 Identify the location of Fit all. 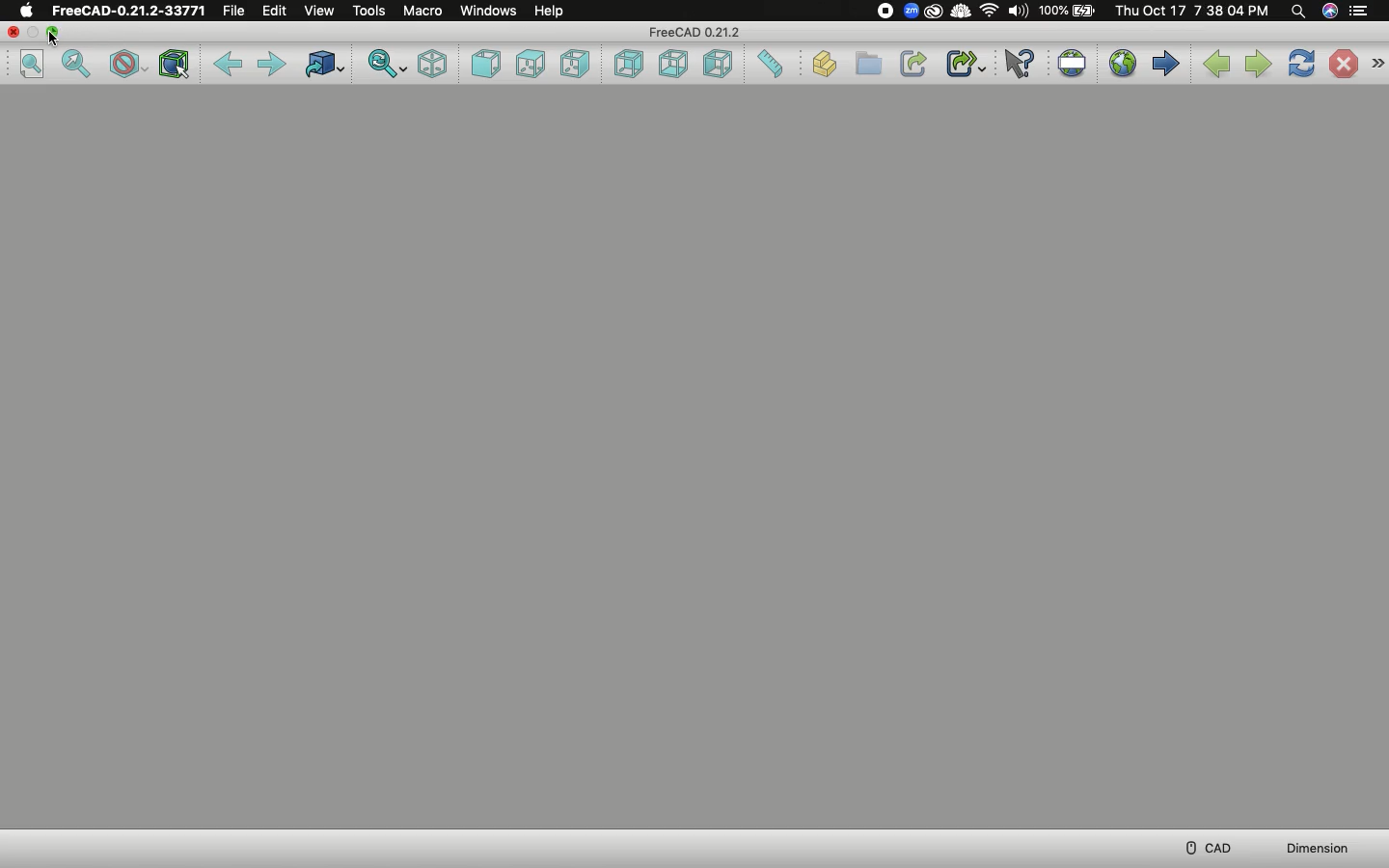
(27, 63).